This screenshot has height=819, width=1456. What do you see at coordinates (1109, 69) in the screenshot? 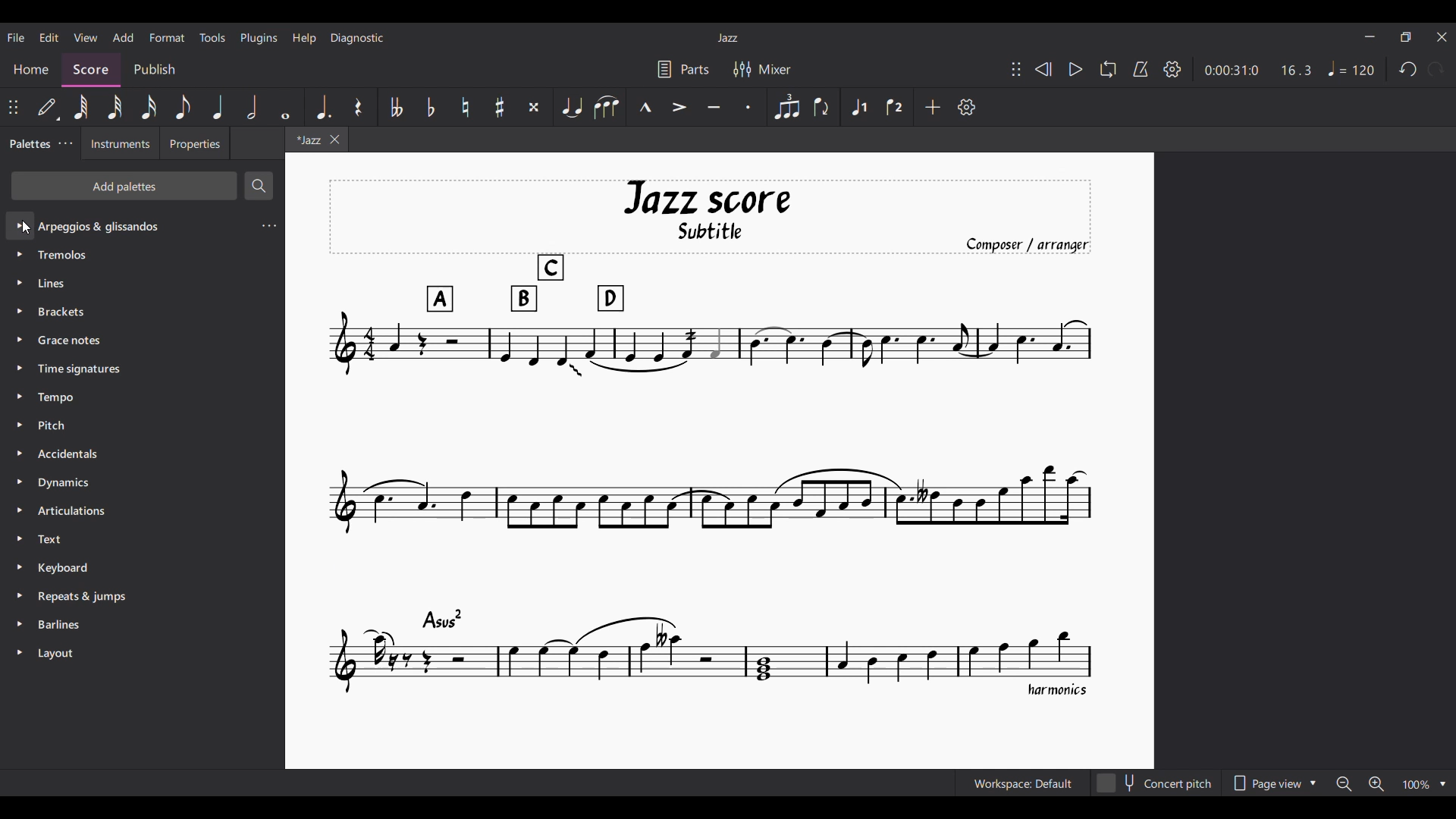
I see `Loop playback` at bounding box center [1109, 69].